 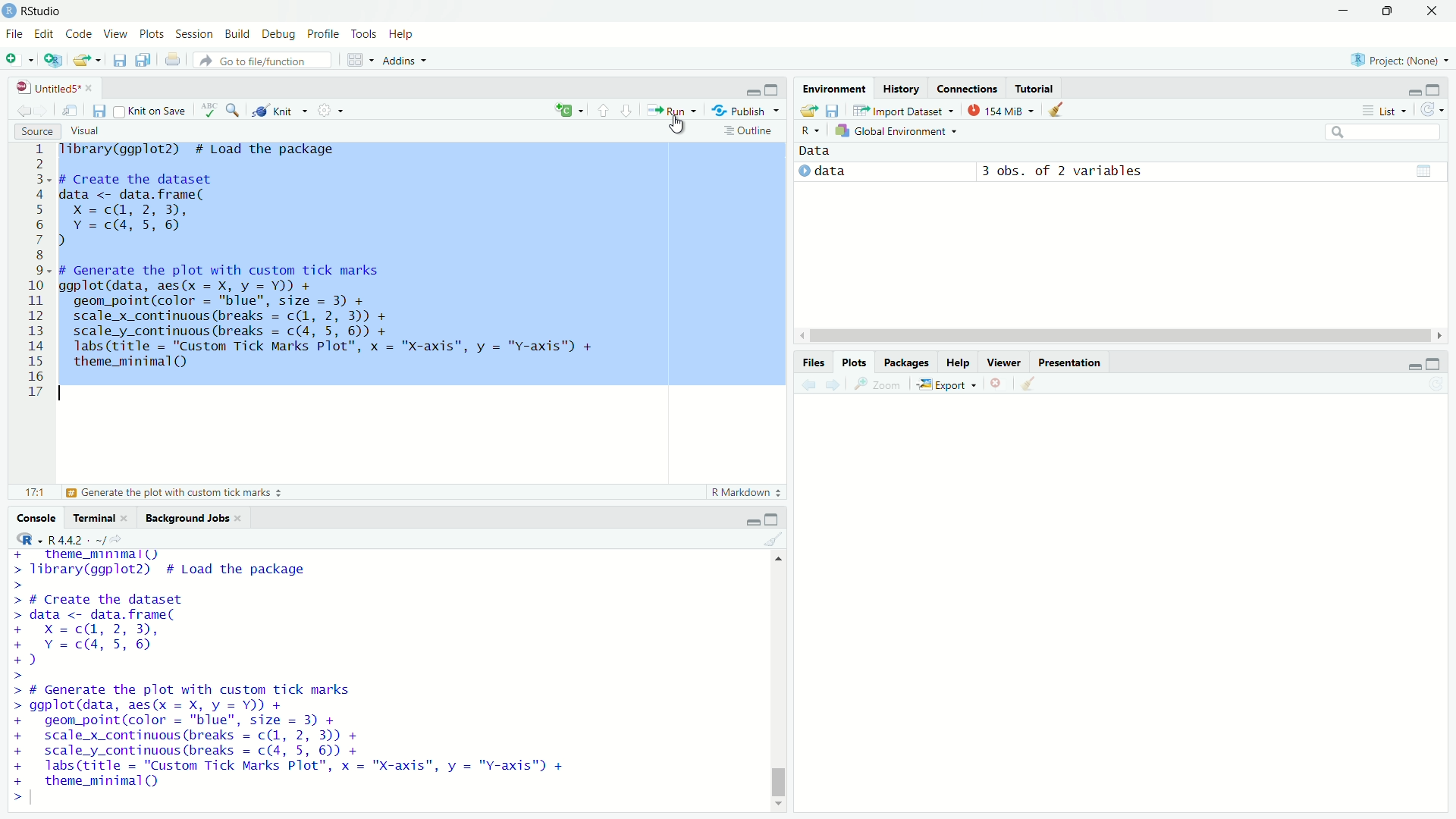 What do you see at coordinates (53, 60) in the screenshot?
I see `create a project` at bounding box center [53, 60].